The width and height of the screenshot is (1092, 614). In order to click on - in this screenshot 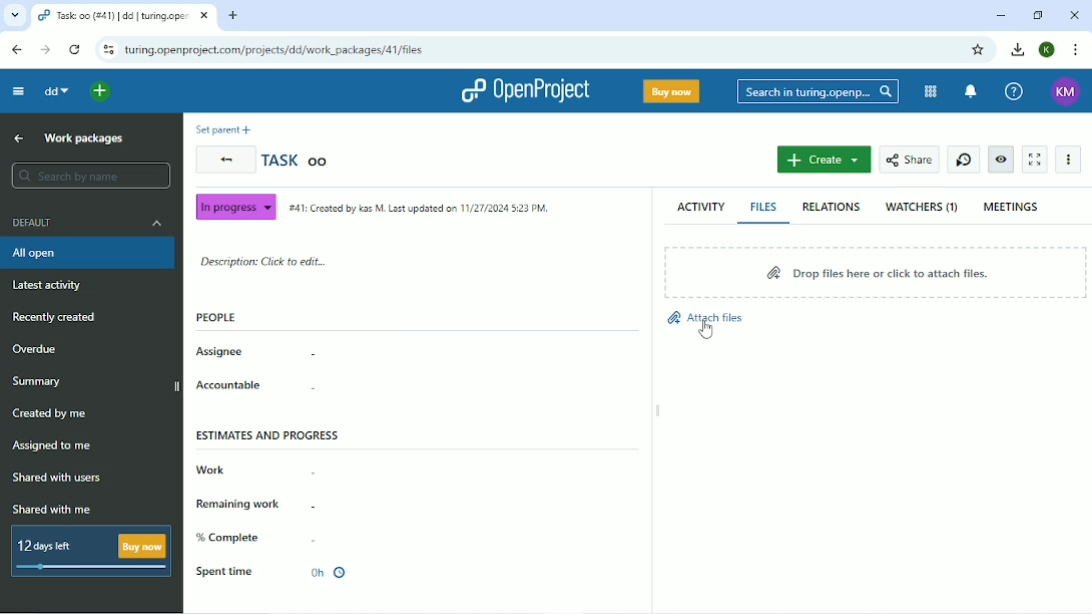, I will do `click(324, 505)`.